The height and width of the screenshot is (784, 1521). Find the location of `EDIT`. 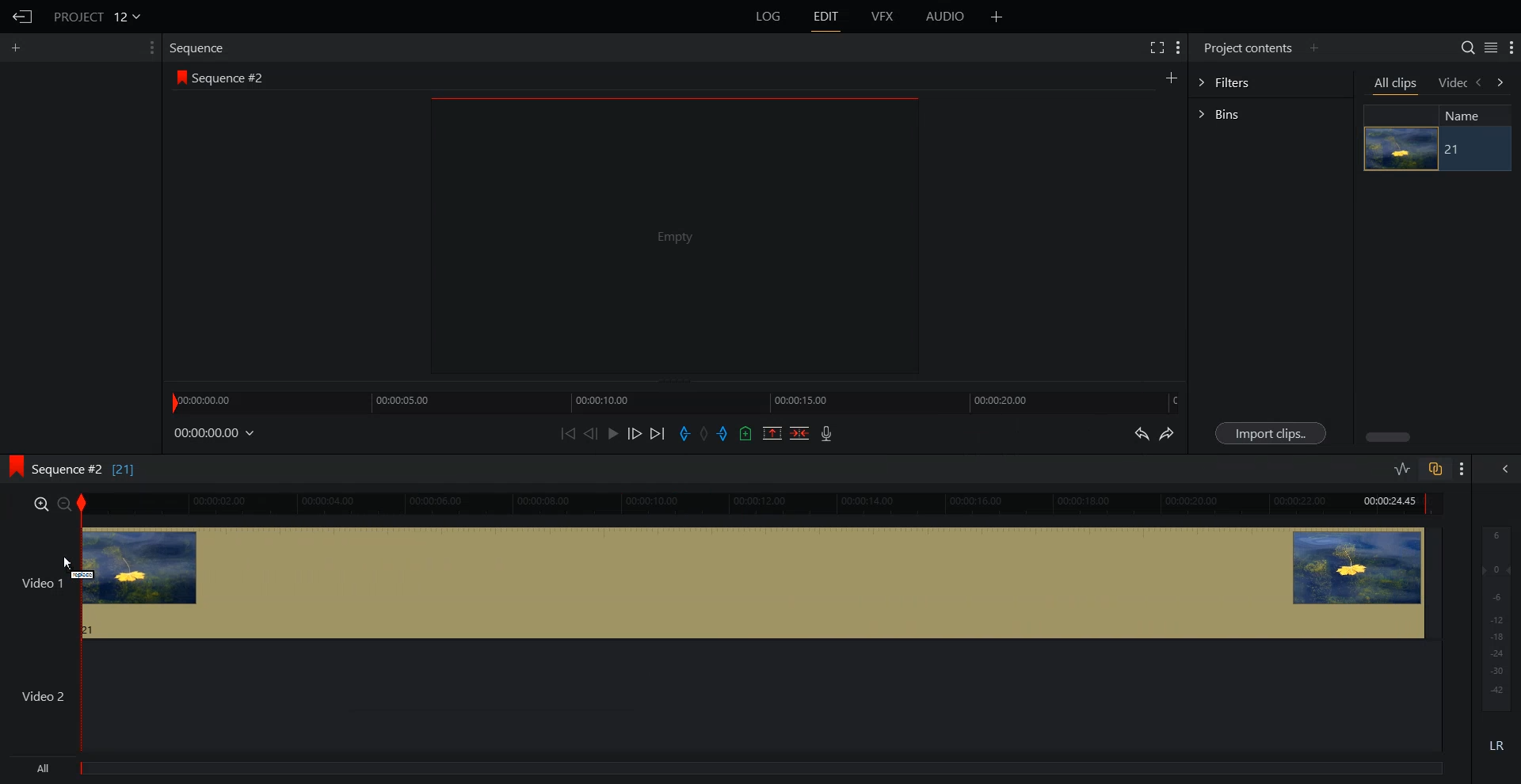

EDIT is located at coordinates (829, 17).